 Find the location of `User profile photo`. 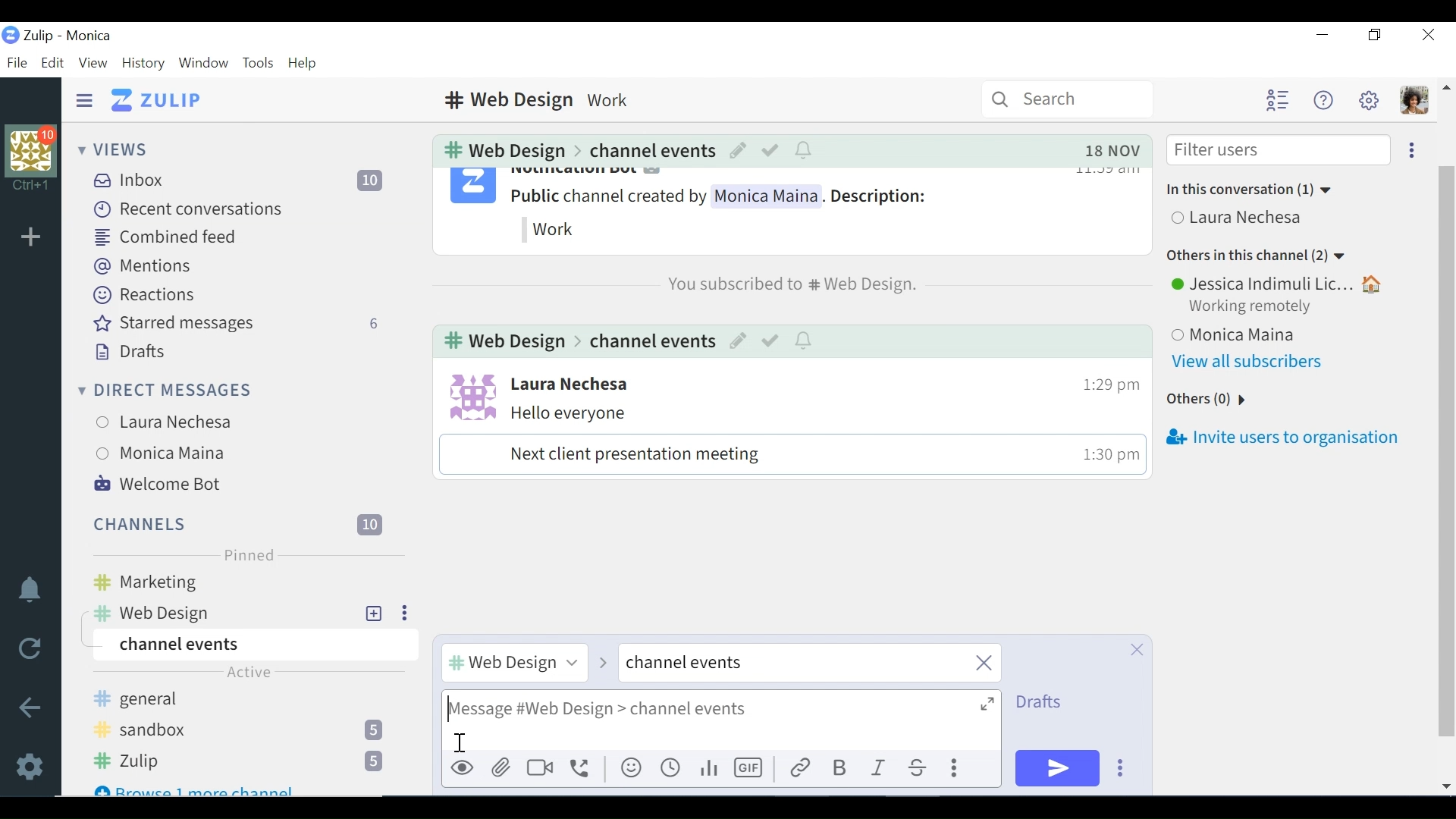

User profile photo is located at coordinates (468, 395).